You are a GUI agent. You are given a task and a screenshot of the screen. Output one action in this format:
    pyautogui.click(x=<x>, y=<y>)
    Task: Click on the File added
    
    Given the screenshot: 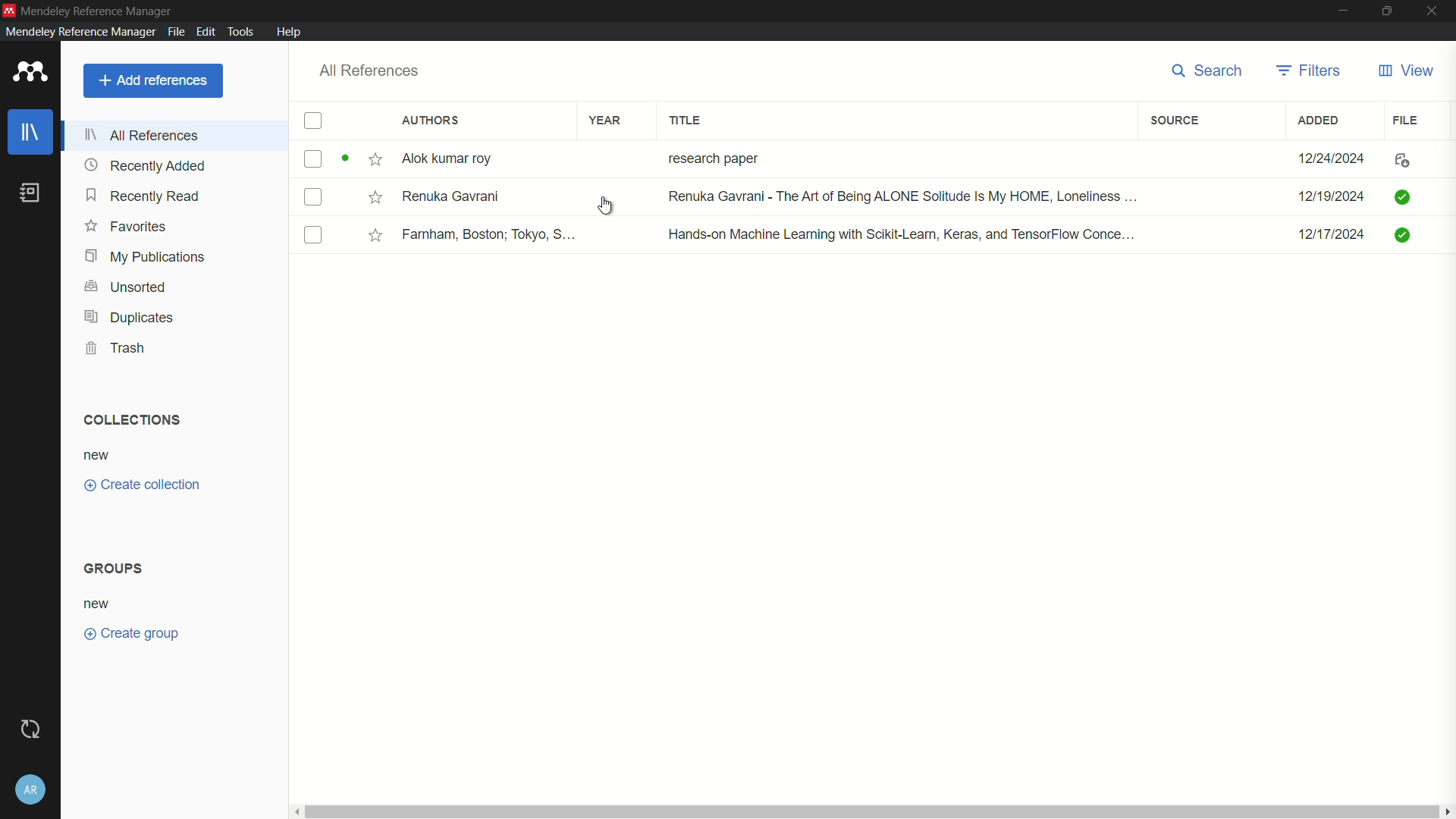 What is the action you would take?
    pyautogui.click(x=1400, y=235)
    